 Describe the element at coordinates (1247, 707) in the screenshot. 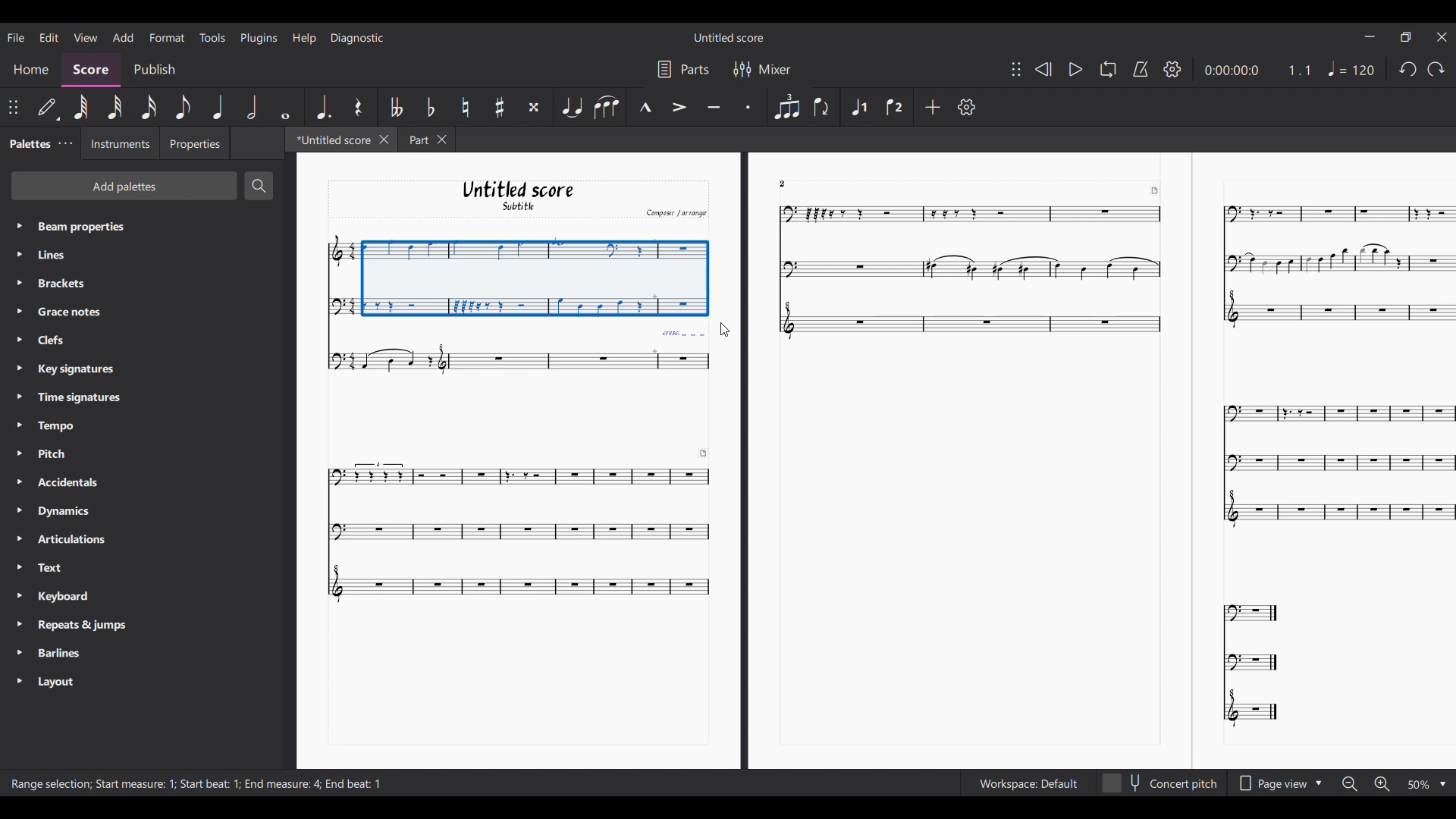

I see `` at that location.